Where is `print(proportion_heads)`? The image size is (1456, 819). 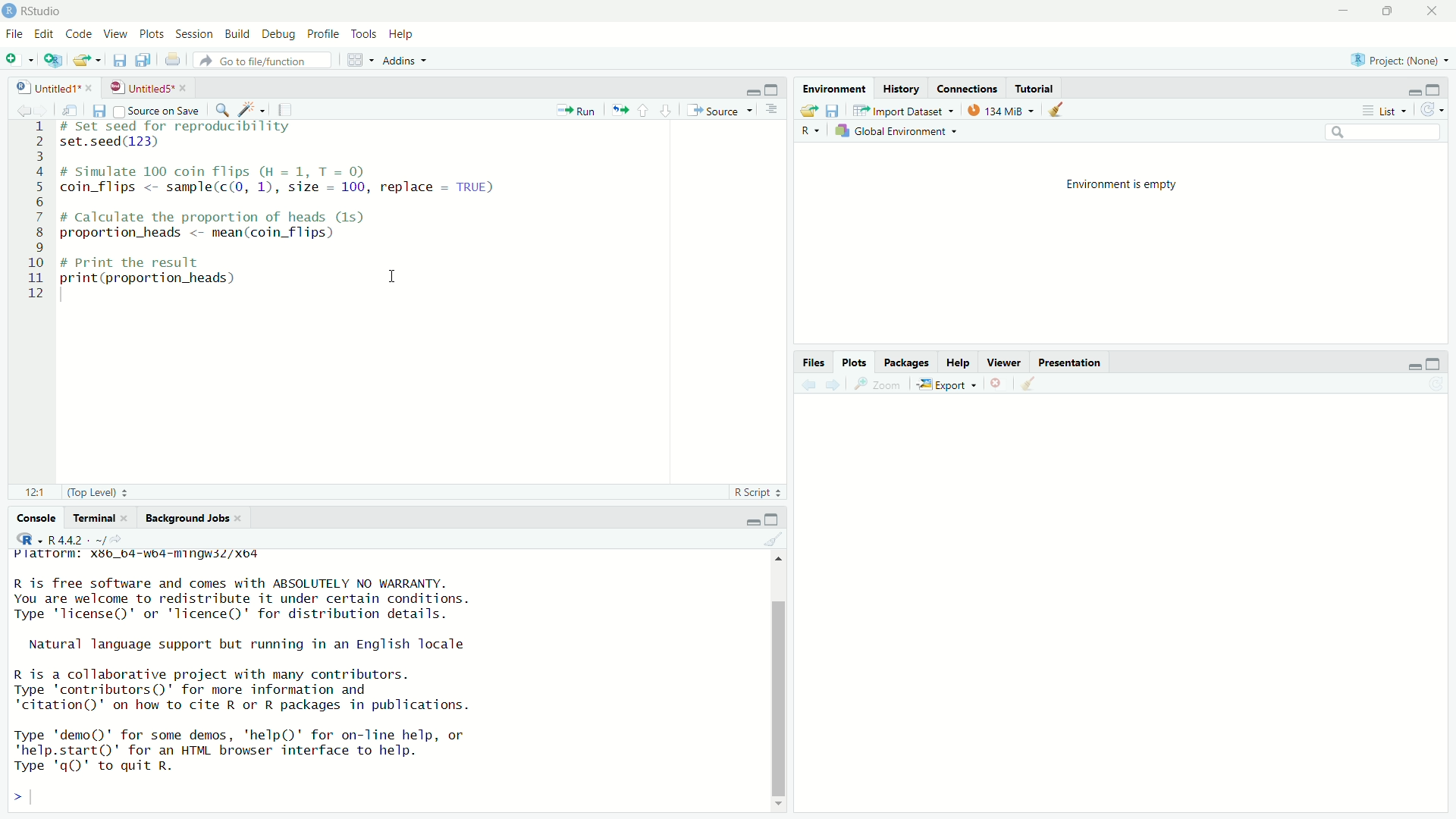 print(proportion_heads) is located at coordinates (157, 279).